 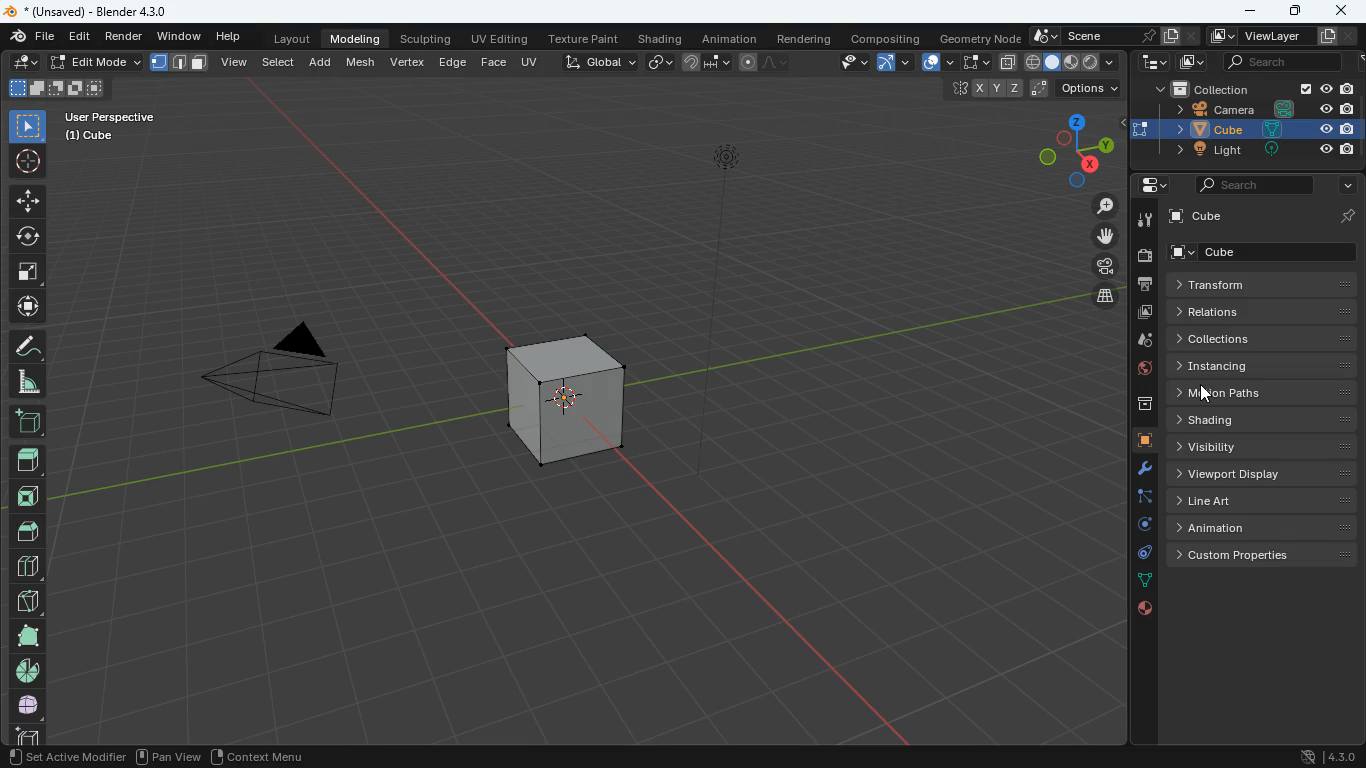 What do you see at coordinates (1142, 221) in the screenshot?
I see `tools` at bounding box center [1142, 221].